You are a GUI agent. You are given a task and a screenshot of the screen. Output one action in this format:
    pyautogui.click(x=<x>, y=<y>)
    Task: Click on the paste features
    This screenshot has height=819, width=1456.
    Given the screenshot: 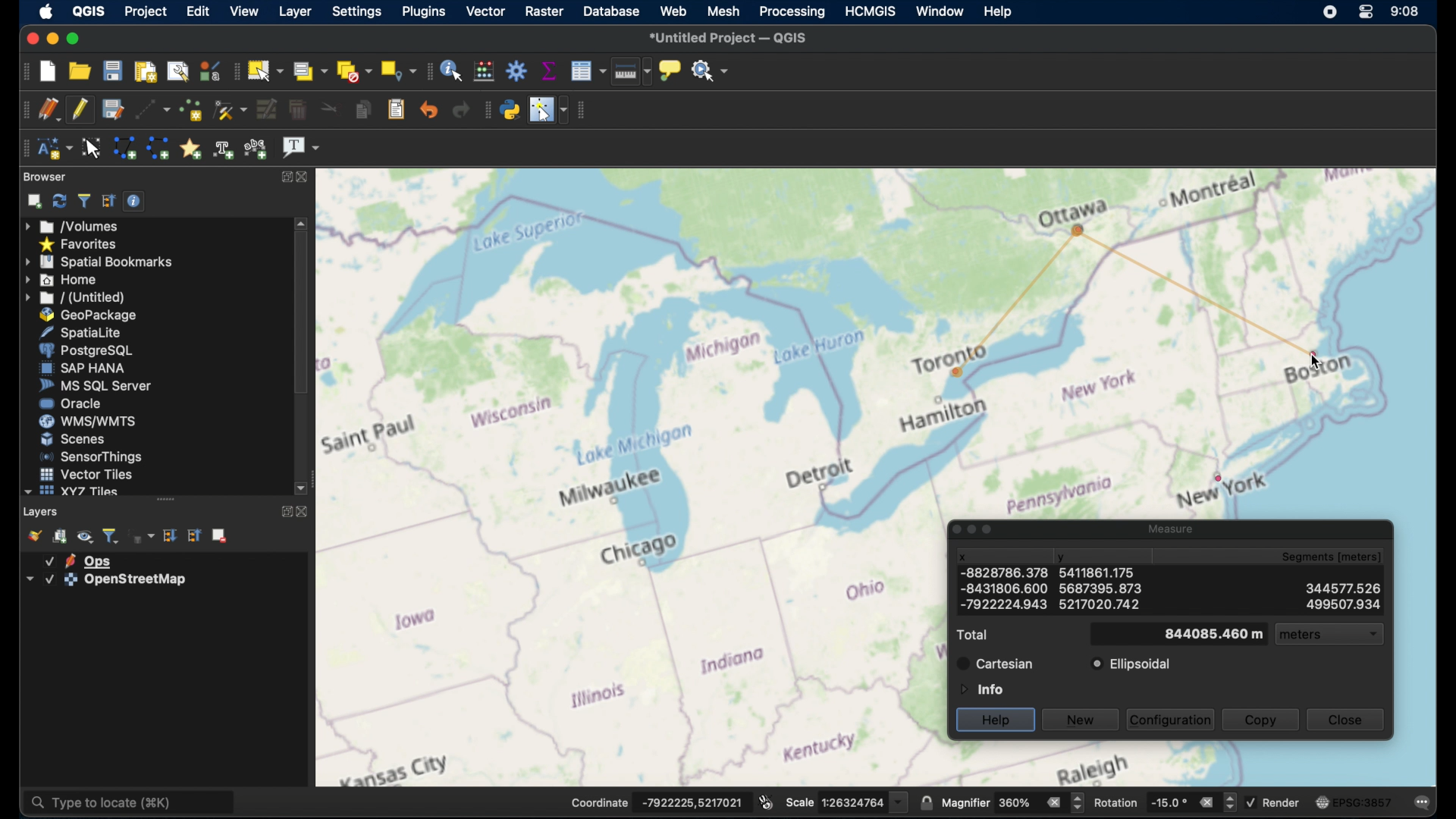 What is the action you would take?
    pyautogui.click(x=397, y=110)
    